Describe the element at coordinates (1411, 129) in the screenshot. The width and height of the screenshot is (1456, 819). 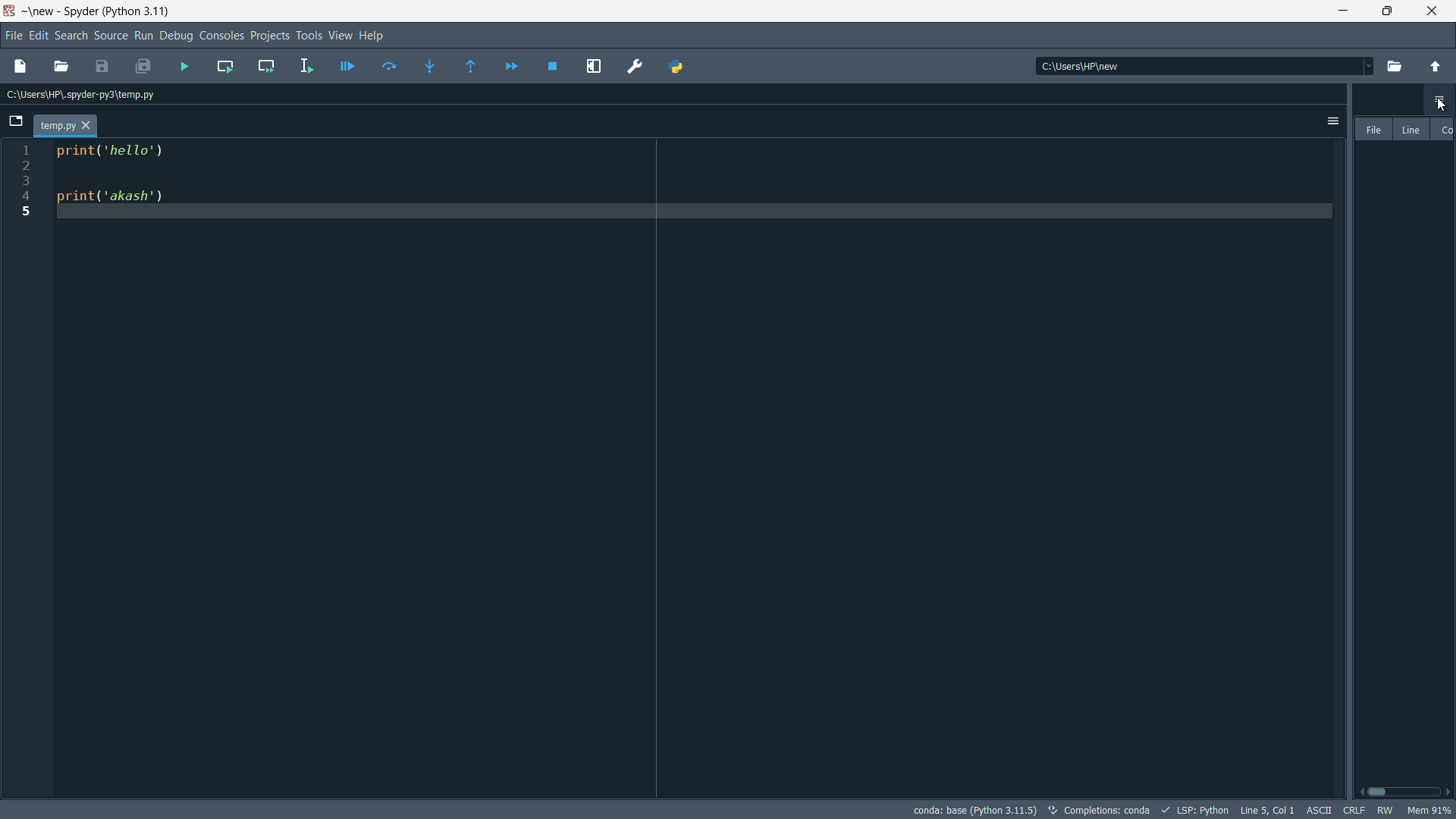
I see `line` at that location.